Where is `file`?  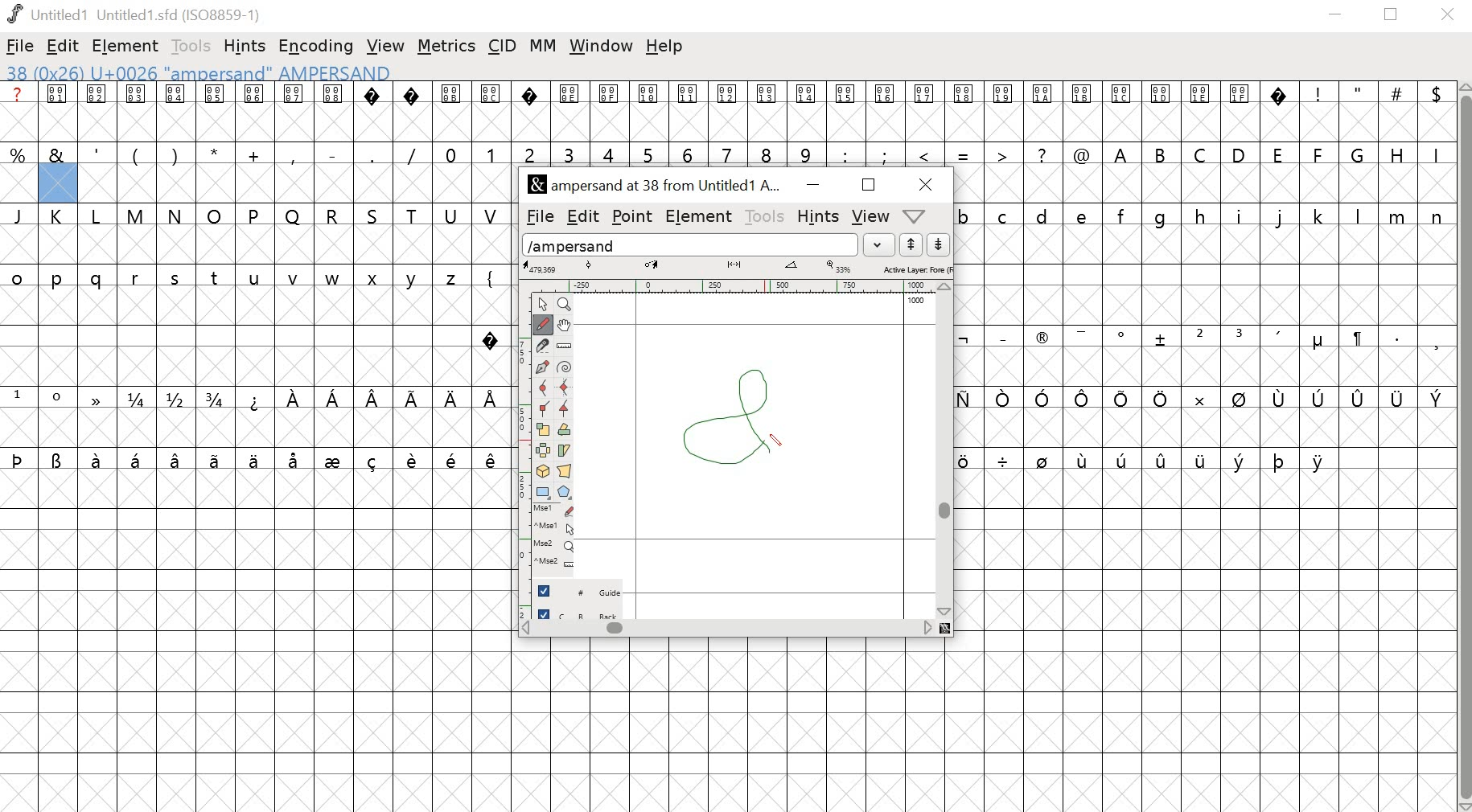
file is located at coordinates (21, 46).